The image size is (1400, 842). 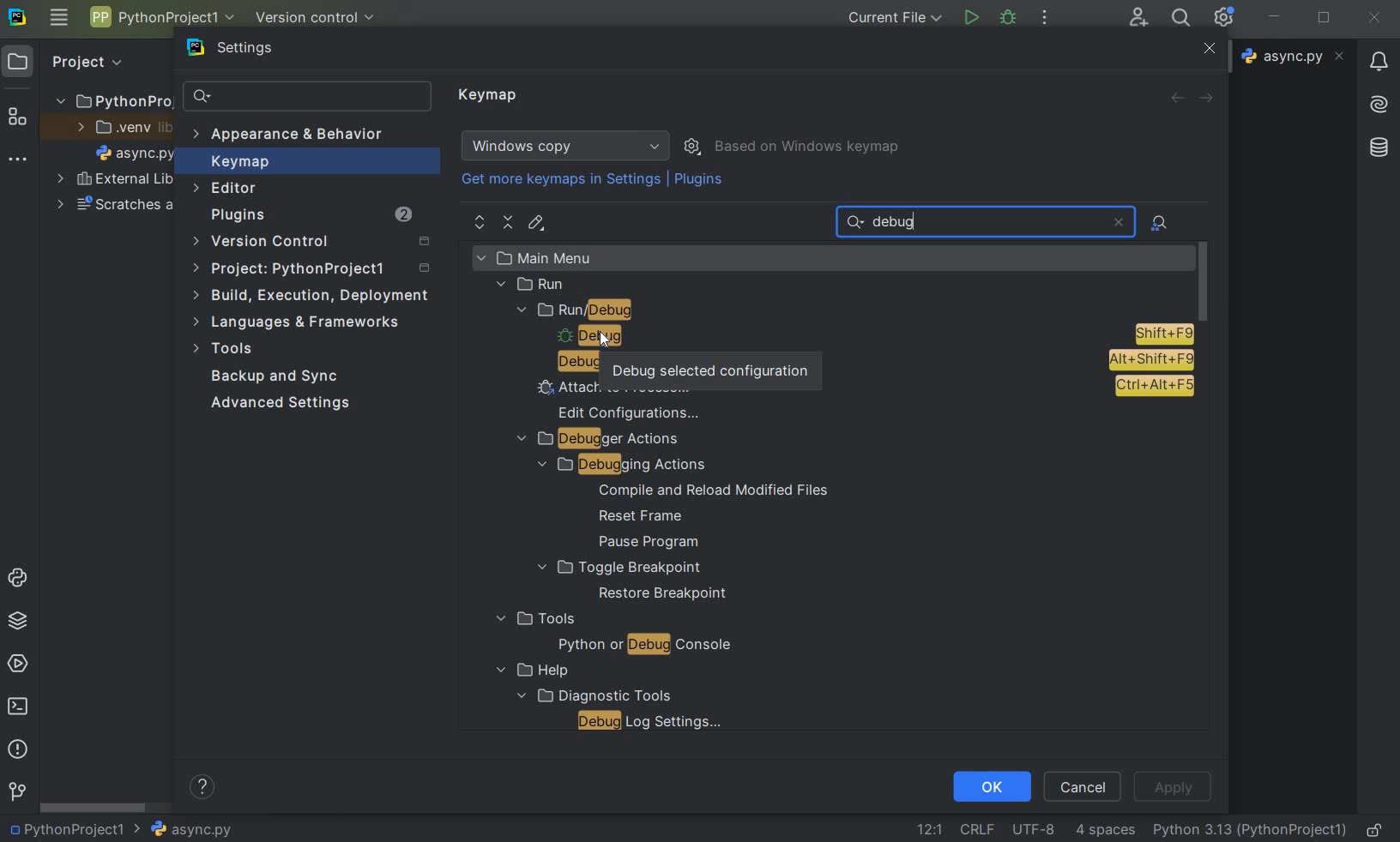 What do you see at coordinates (15, 159) in the screenshot?
I see `more tool windows` at bounding box center [15, 159].